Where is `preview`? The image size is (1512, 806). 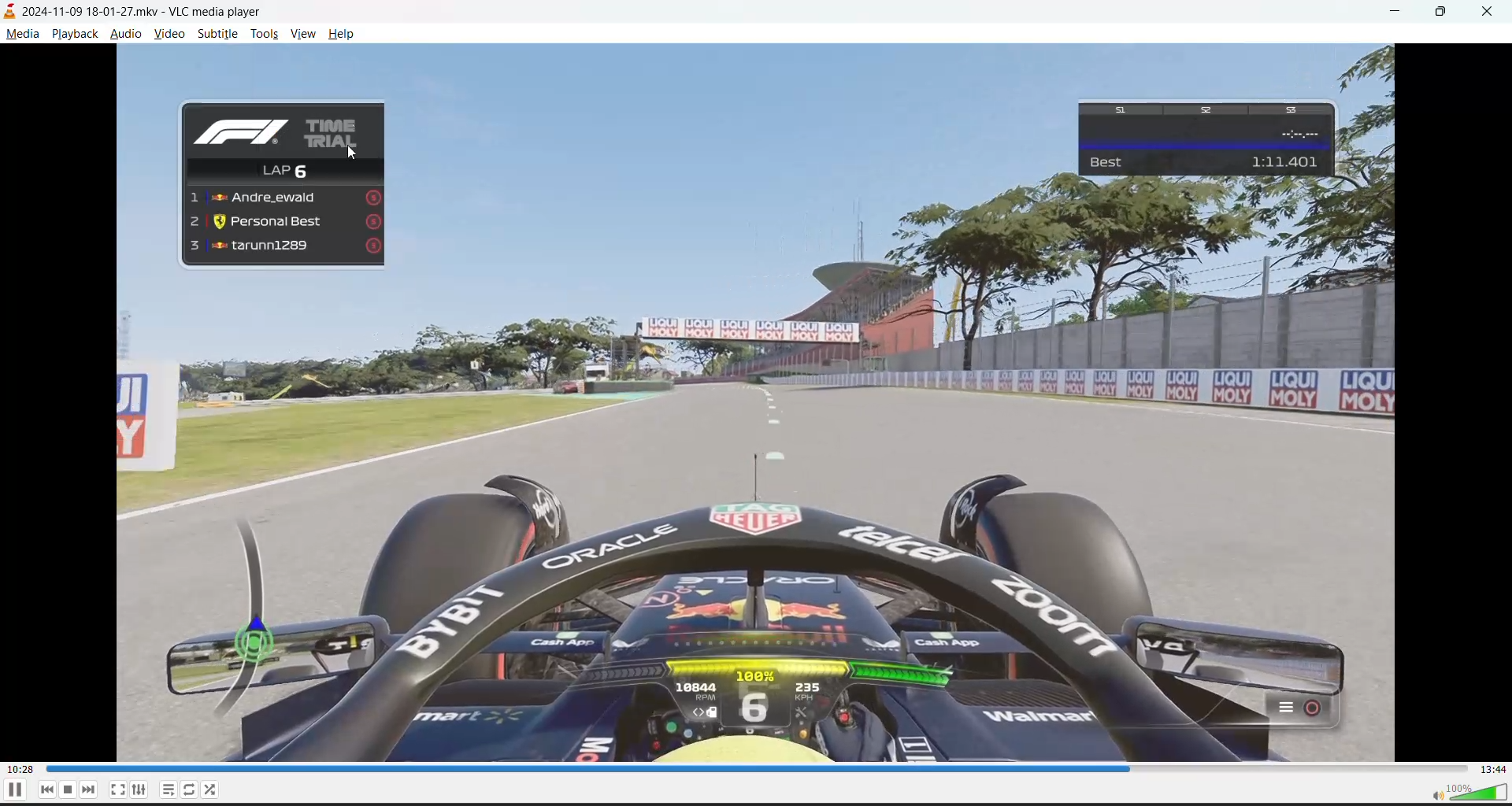 preview is located at coordinates (733, 187).